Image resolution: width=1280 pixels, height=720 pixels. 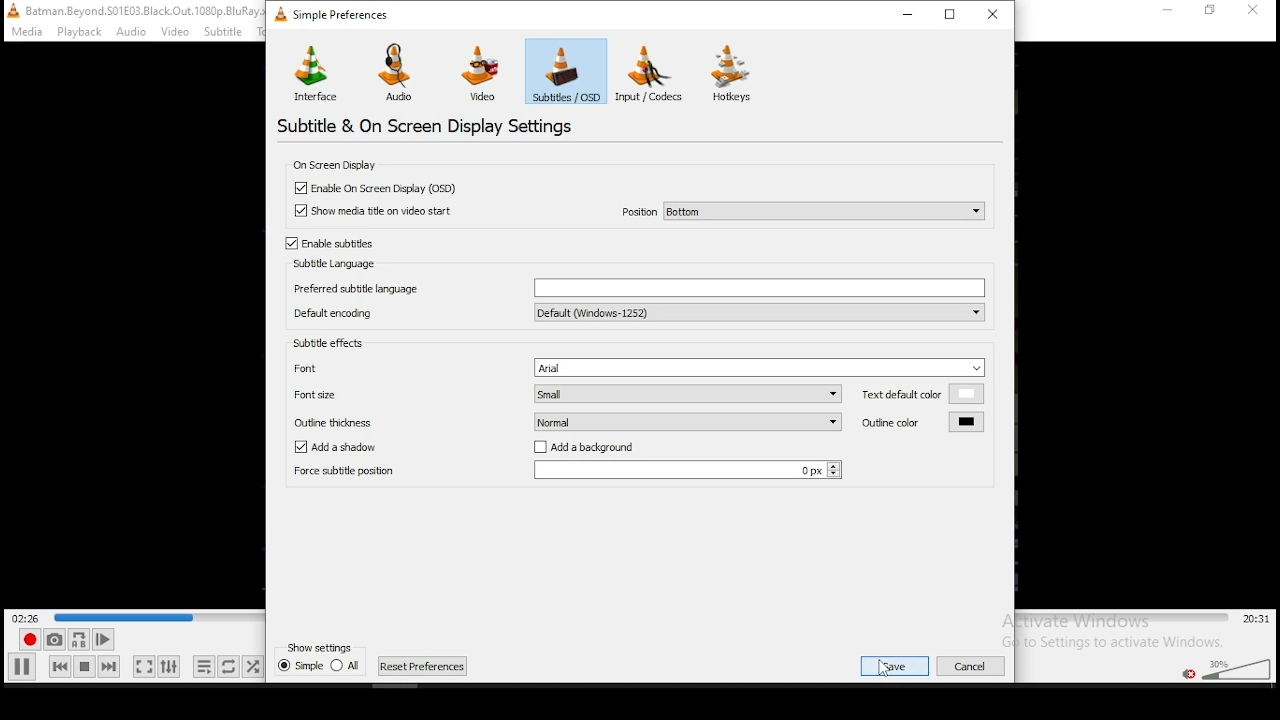 I want to click on , so click(x=1167, y=14).